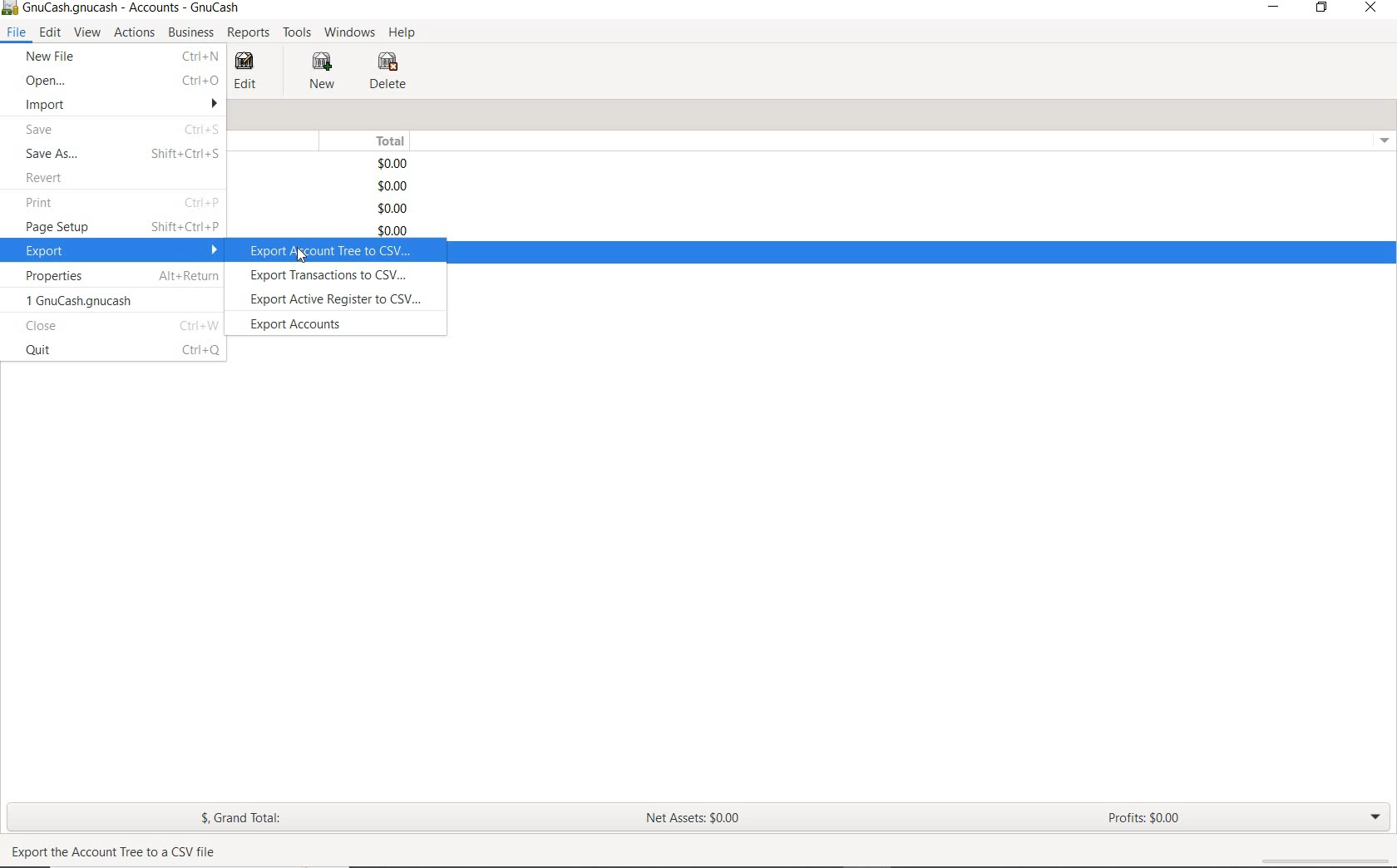  Describe the element at coordinates (41, 349) in the screenshot. I see `quit` at that location.